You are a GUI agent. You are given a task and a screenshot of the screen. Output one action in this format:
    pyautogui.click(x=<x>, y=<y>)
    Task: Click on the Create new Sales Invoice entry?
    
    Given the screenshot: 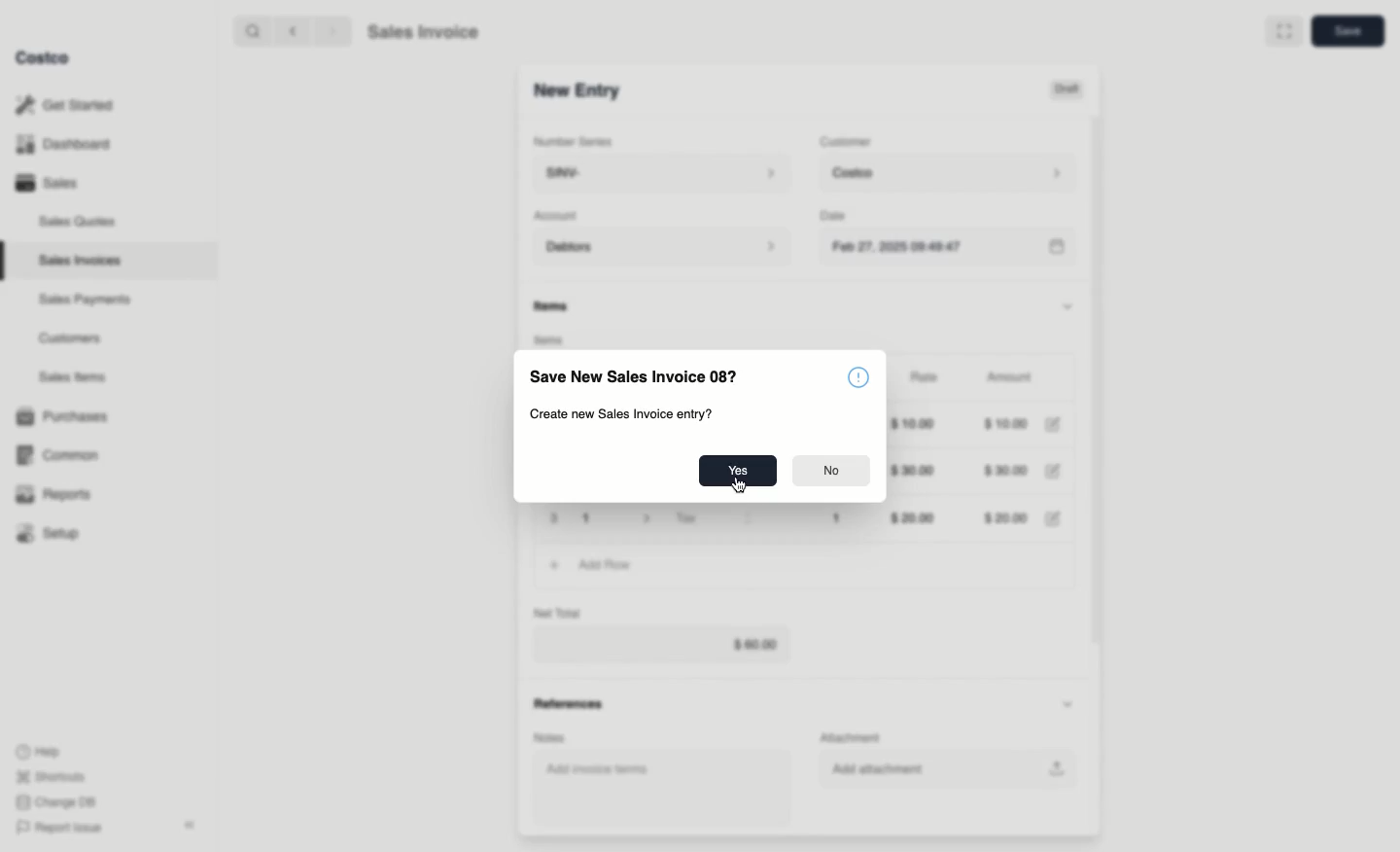 What is the action you would take?
    pyautogui.click(x=626, y=414)
    